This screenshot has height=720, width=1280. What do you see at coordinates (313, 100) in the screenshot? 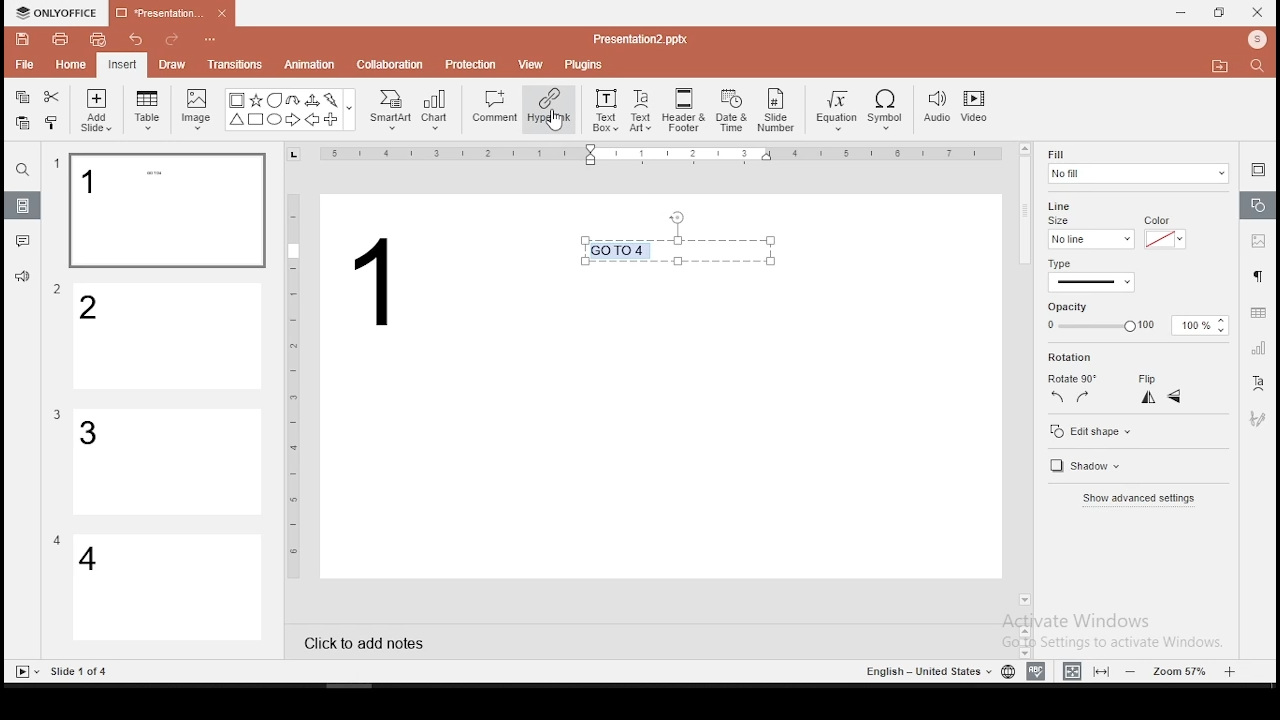
I see `Arrow triways` at bounding box center [313, 100].